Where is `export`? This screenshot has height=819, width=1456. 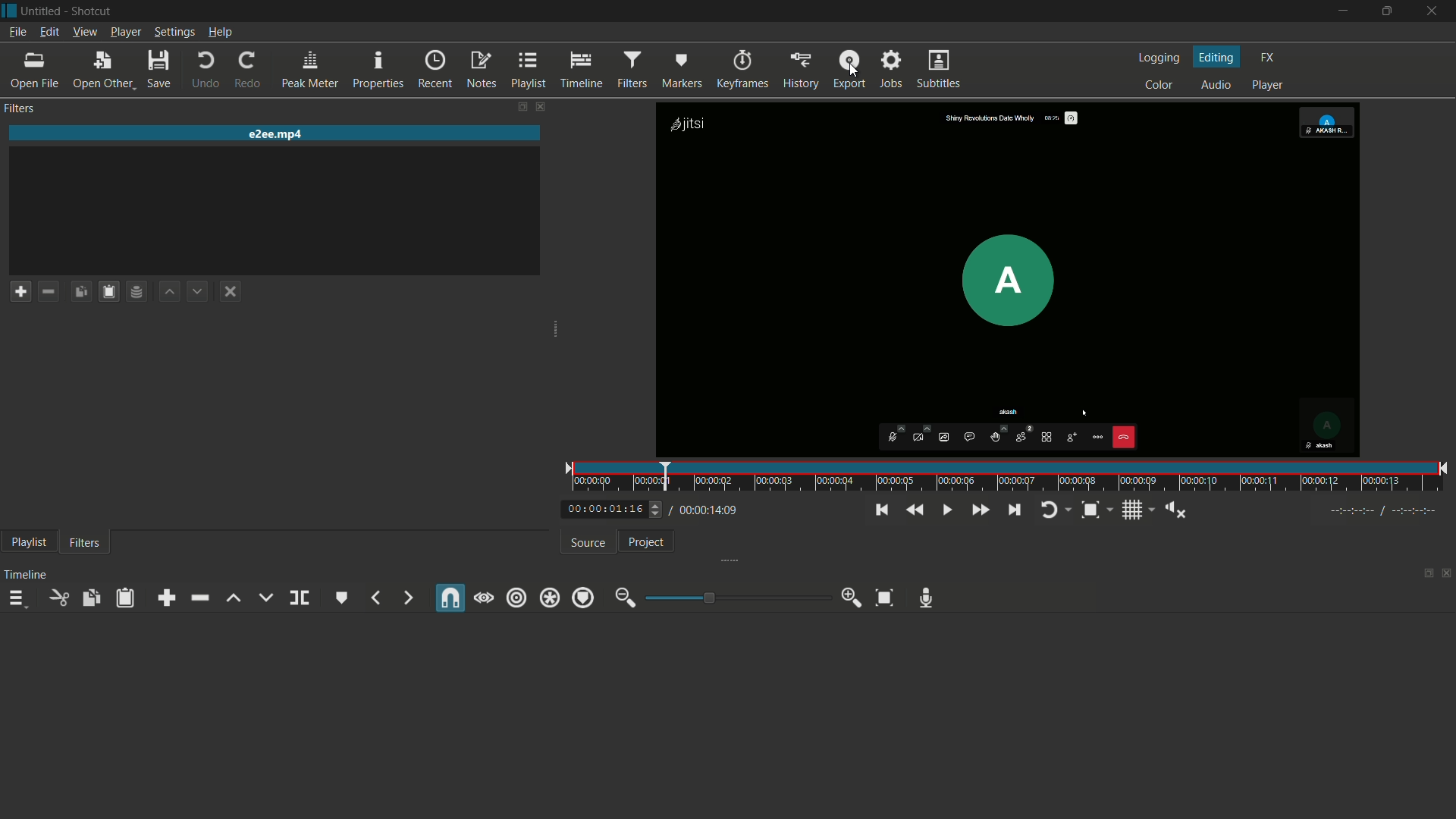
export is located at coordinates (802, 71).